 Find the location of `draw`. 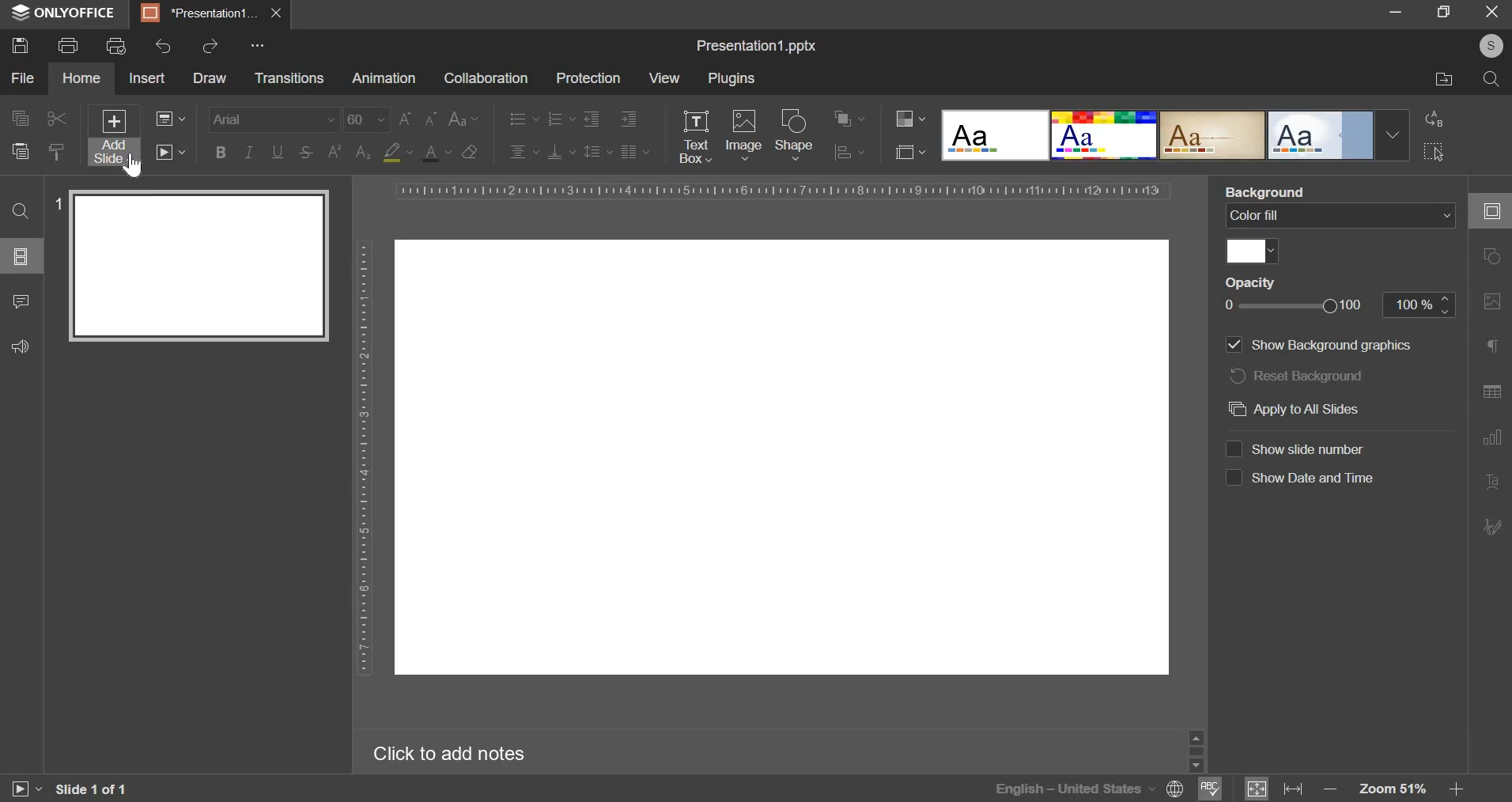

draw is located at coordinates (209, 78).